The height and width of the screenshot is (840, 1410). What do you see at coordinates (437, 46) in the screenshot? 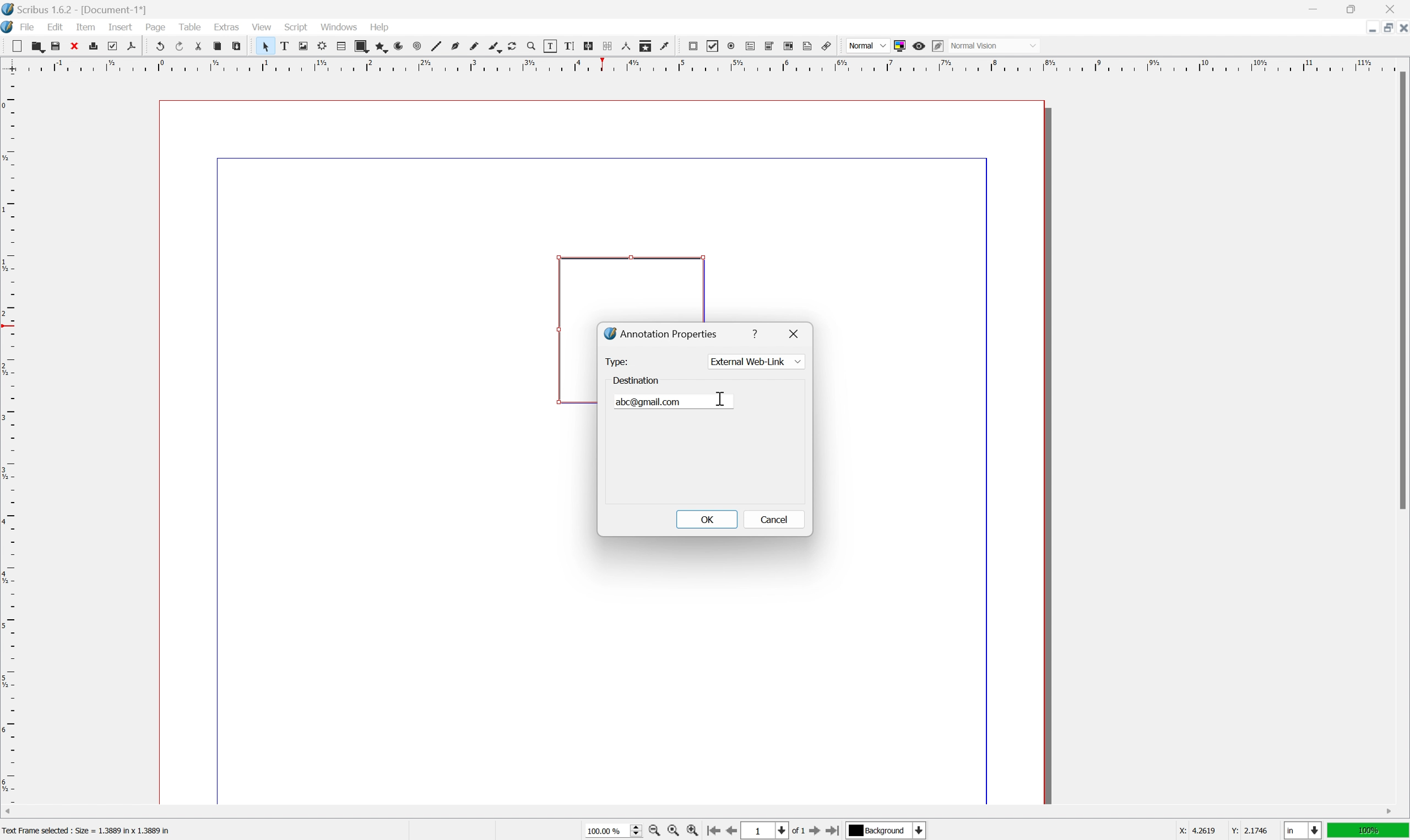
I see `line` at bounding box center [437, 46].